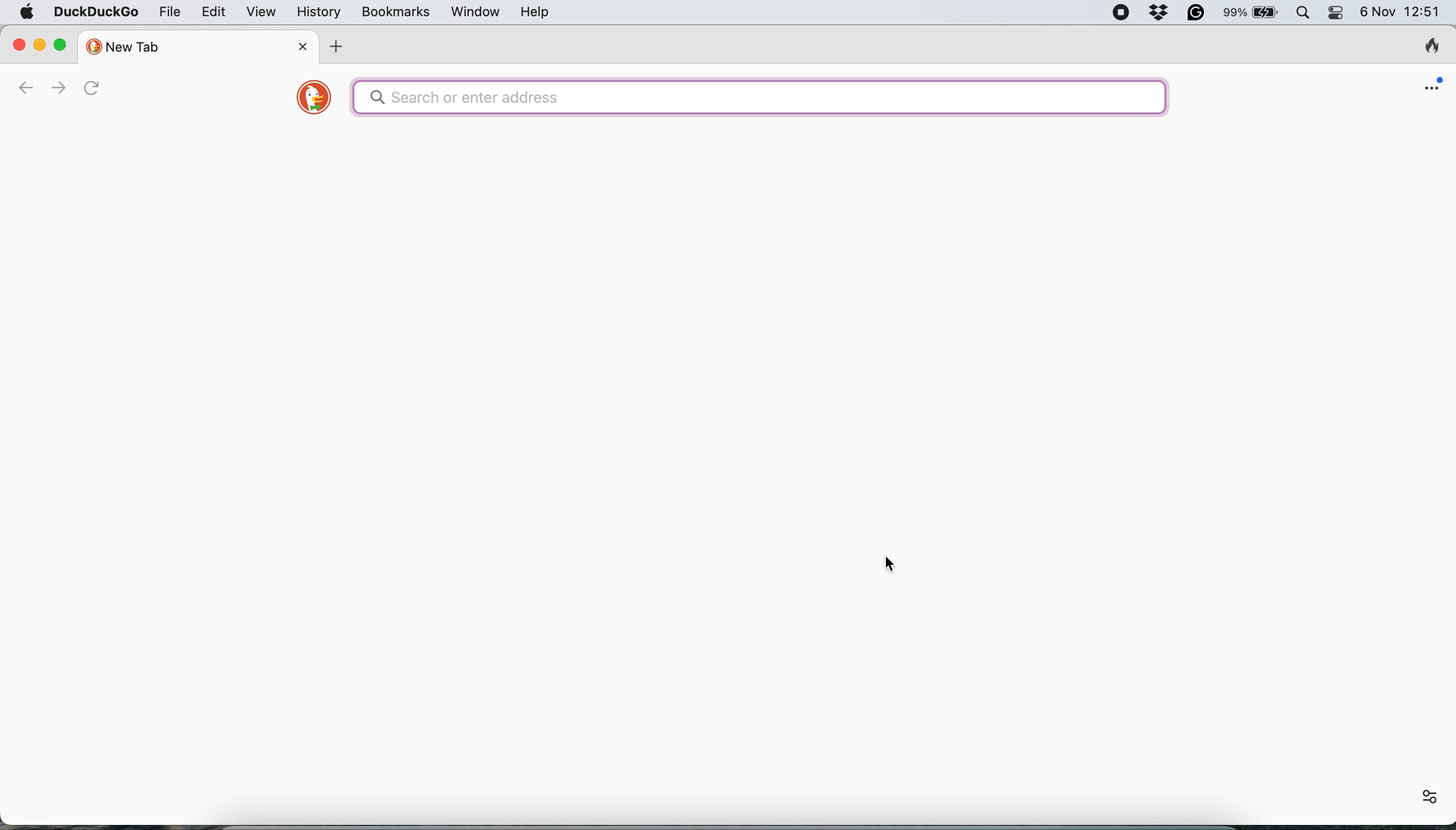 The image size is (1456, 830). What do you see at coordinates (92, 89) in the screenshot?
I see `refresh` at bounding box center [92, 89].